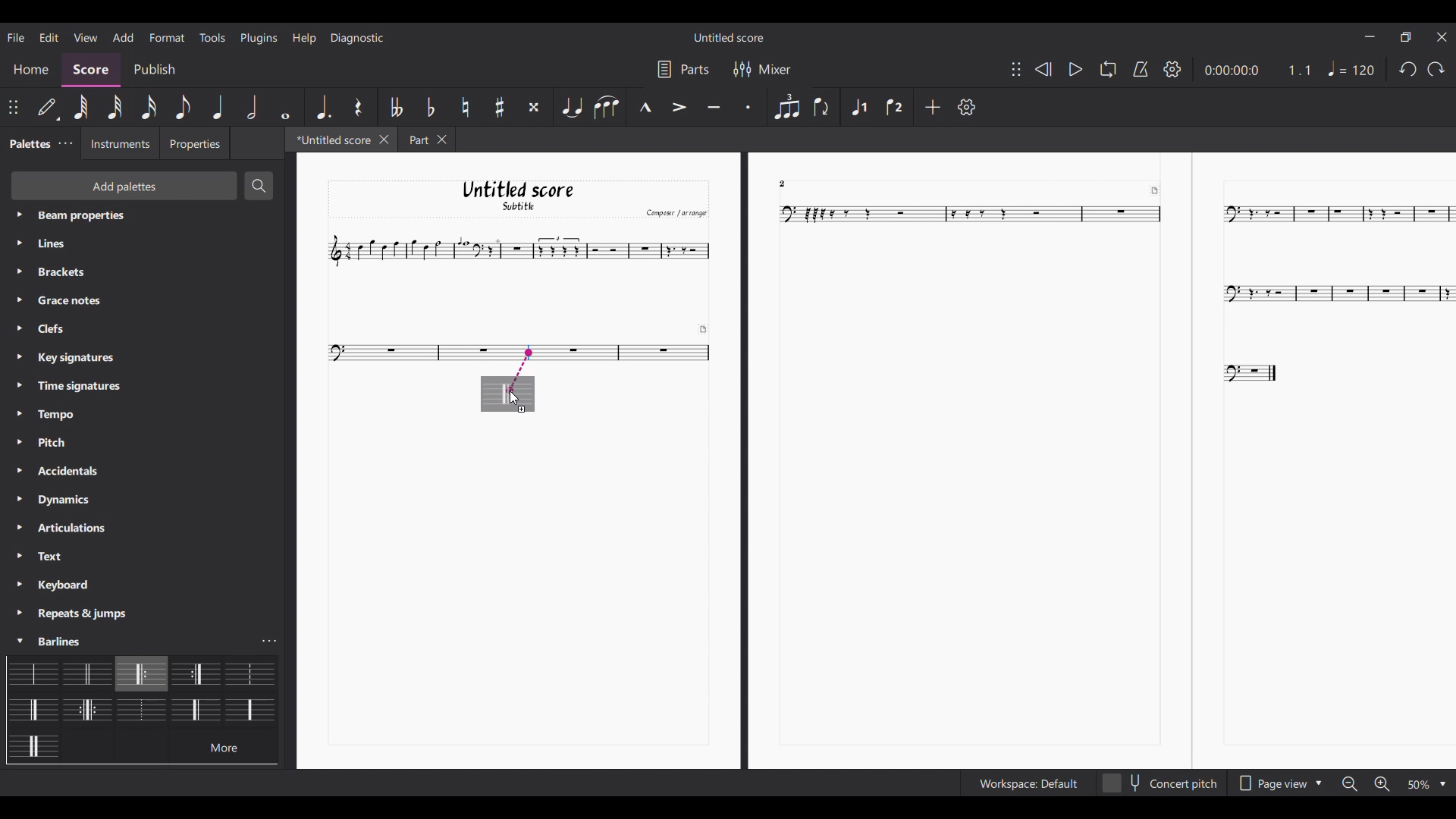 The image size is (1456, 819). What do you see at coordinates (271, 642) in the screenshot?
I see `Barline settings` at bounding box center [271, 642].